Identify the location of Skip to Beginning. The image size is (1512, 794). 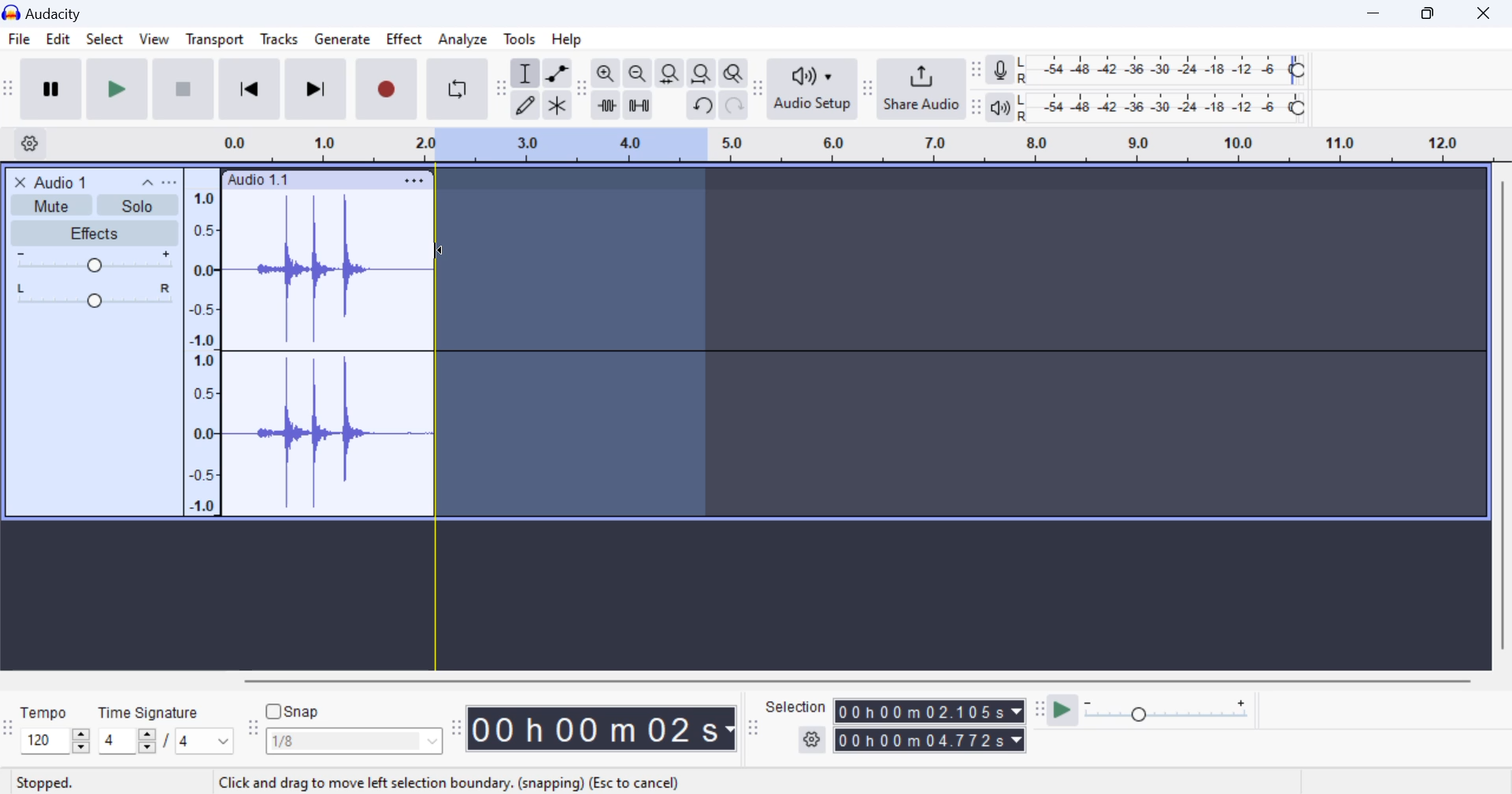
(249, 90).